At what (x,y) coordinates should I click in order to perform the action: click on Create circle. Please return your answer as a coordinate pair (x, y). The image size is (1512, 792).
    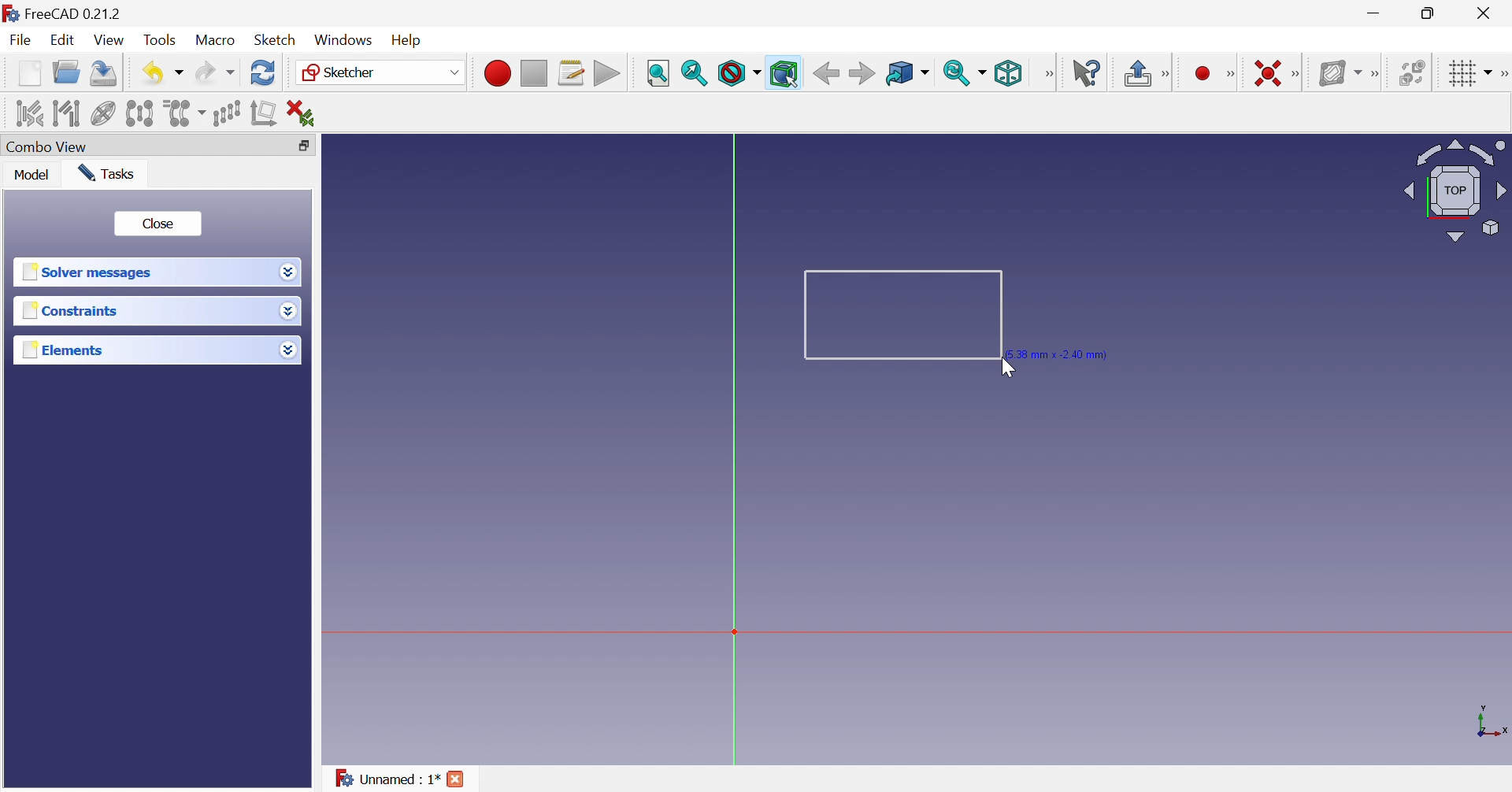
    Looking at the image, I should click on (1203, 74).